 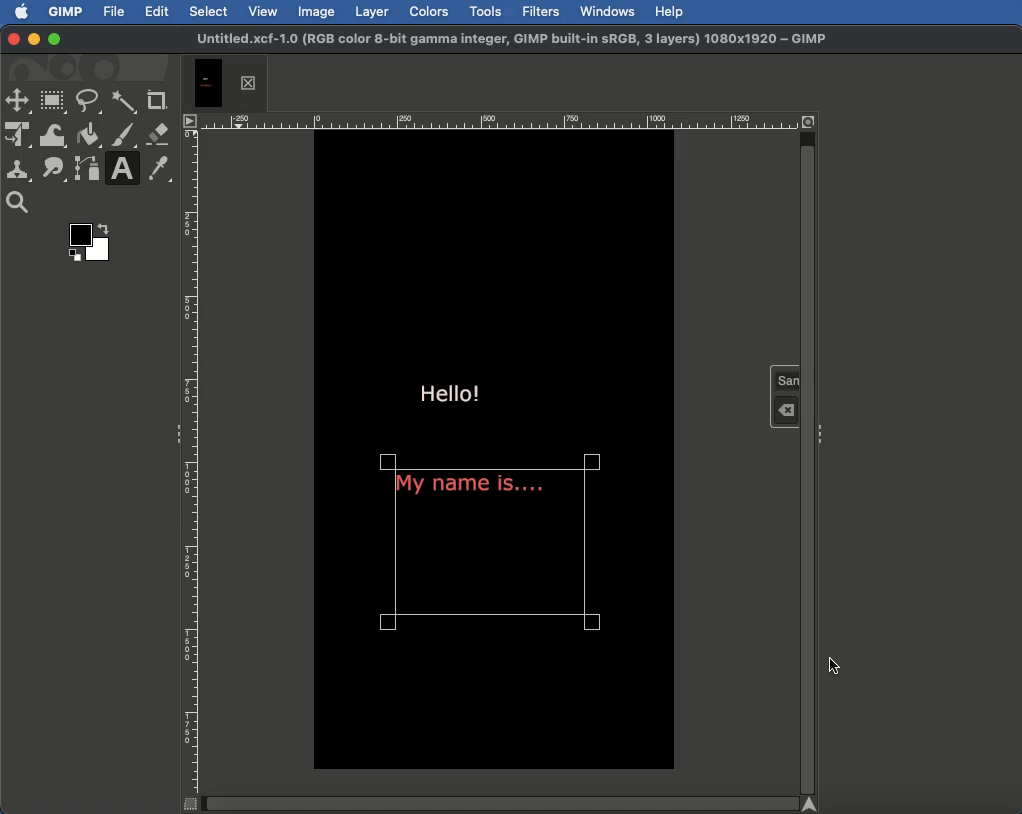 I want to click on Color picker tool, so click(x=161, y=172).